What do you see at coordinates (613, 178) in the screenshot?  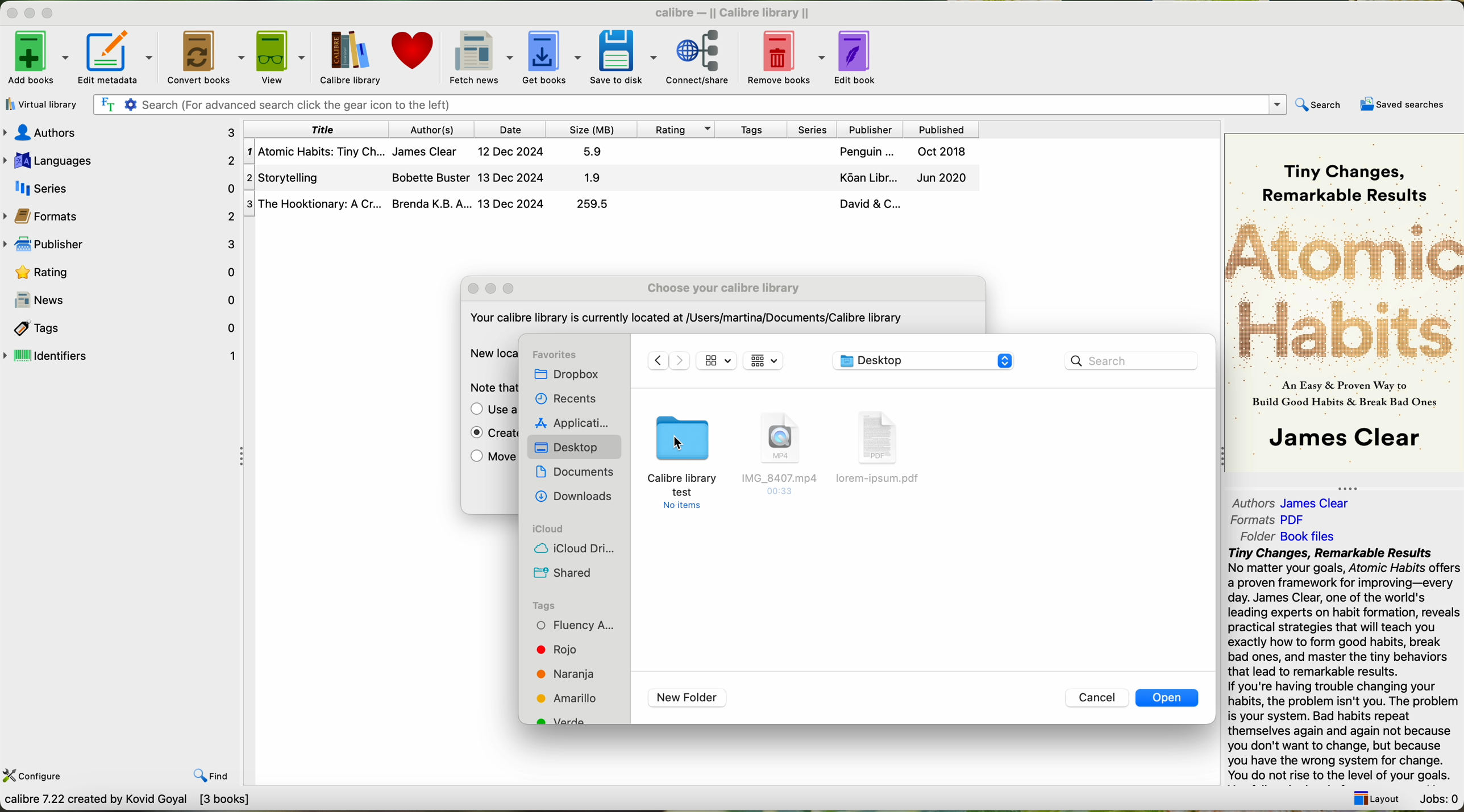 I see `Second Storytelling` at bounding box center [613, 178].